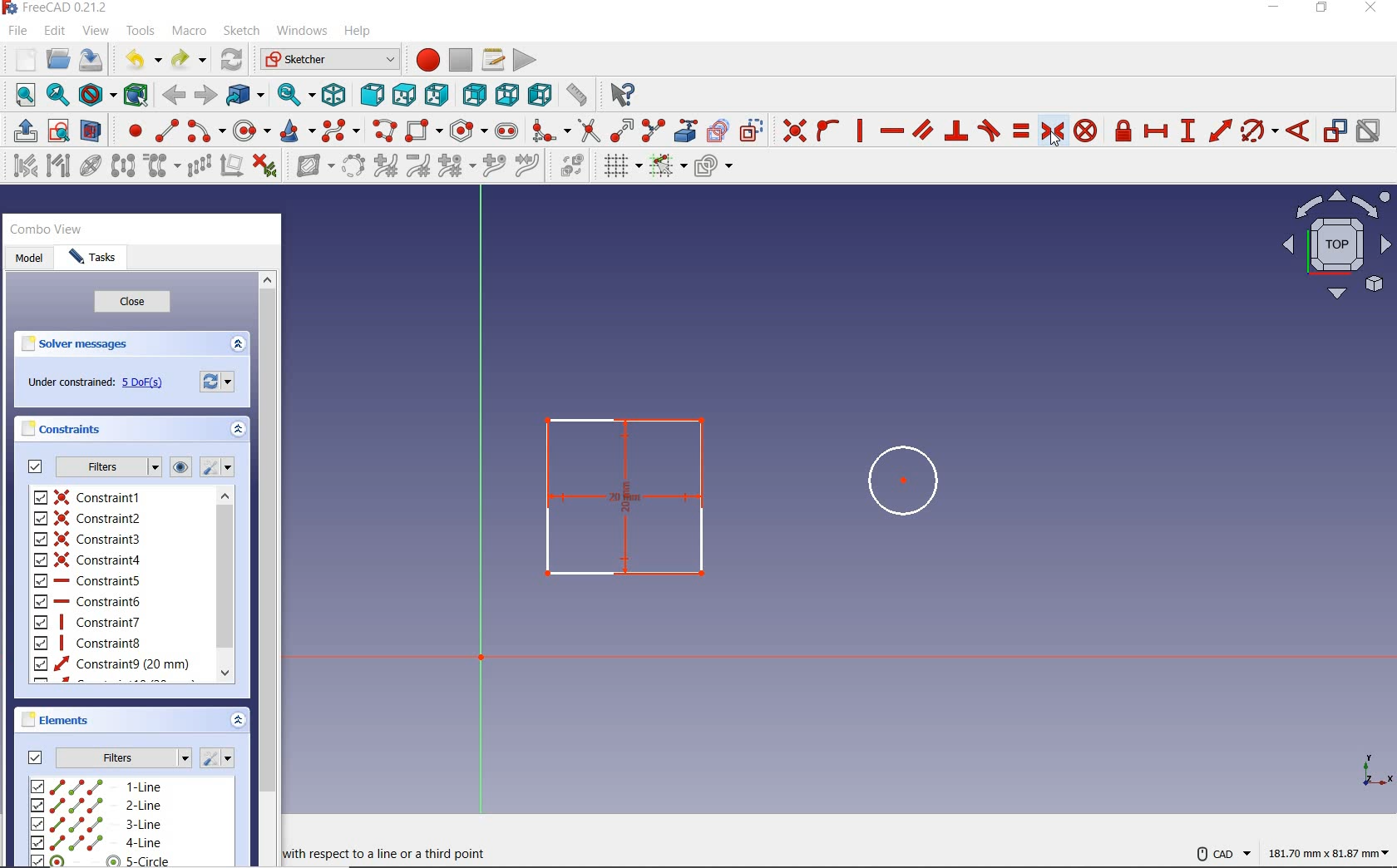  I want to click on fit all, so click(20, 96).